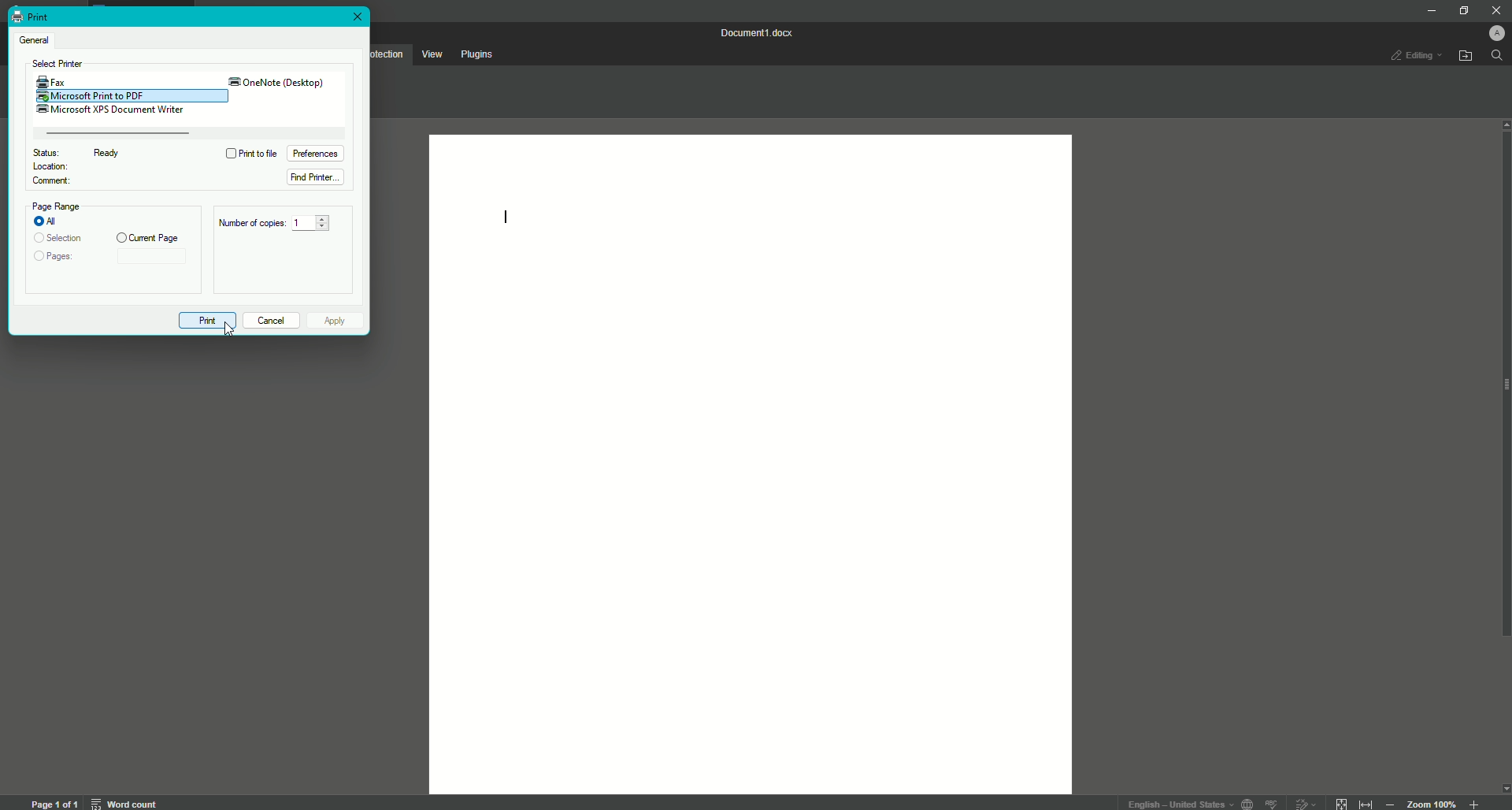 Image resolution: width=1512 pixels, height=810 pixels. I want to click on Minimize, so click(1427, 10).